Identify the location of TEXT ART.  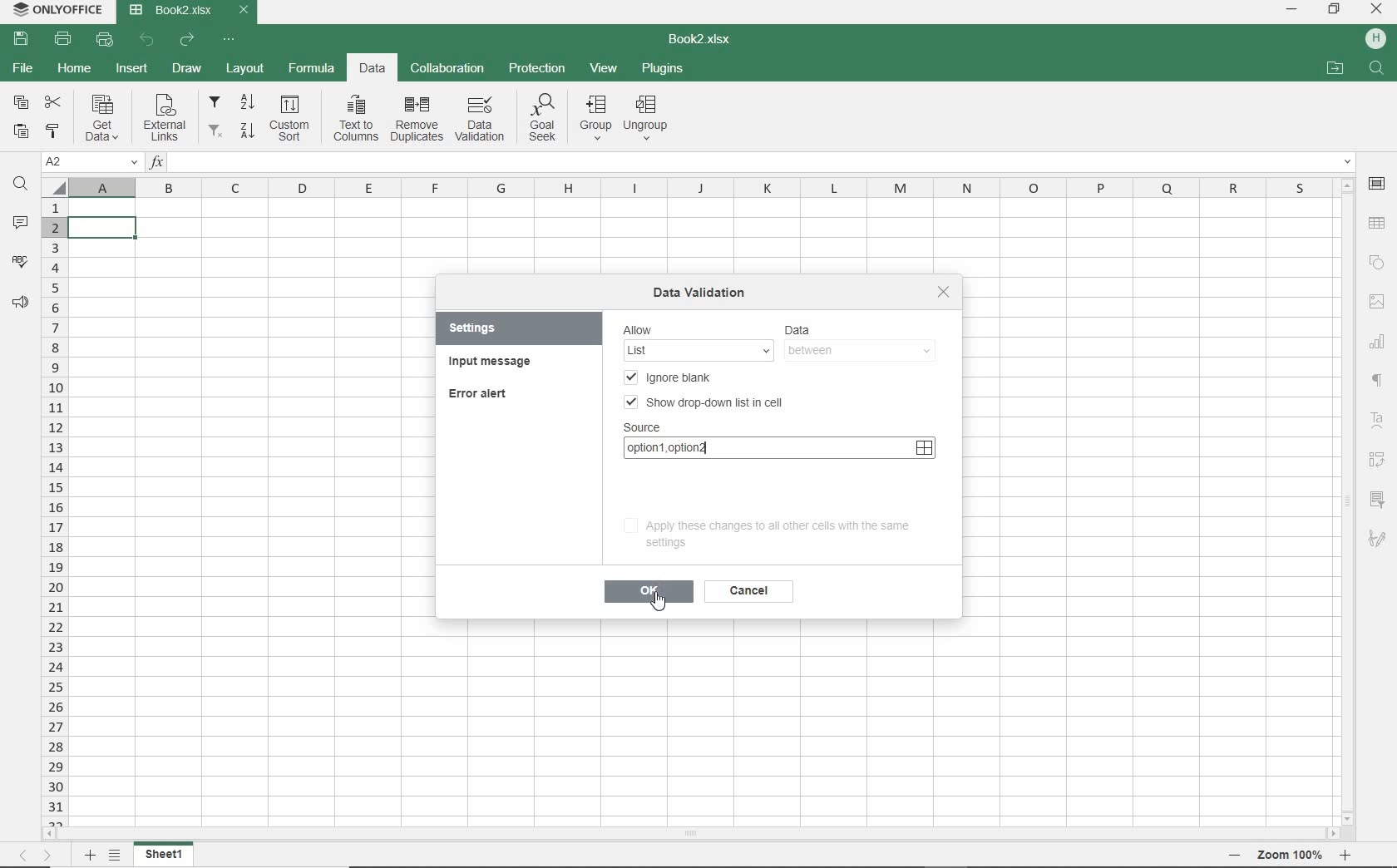
(1378, 422).